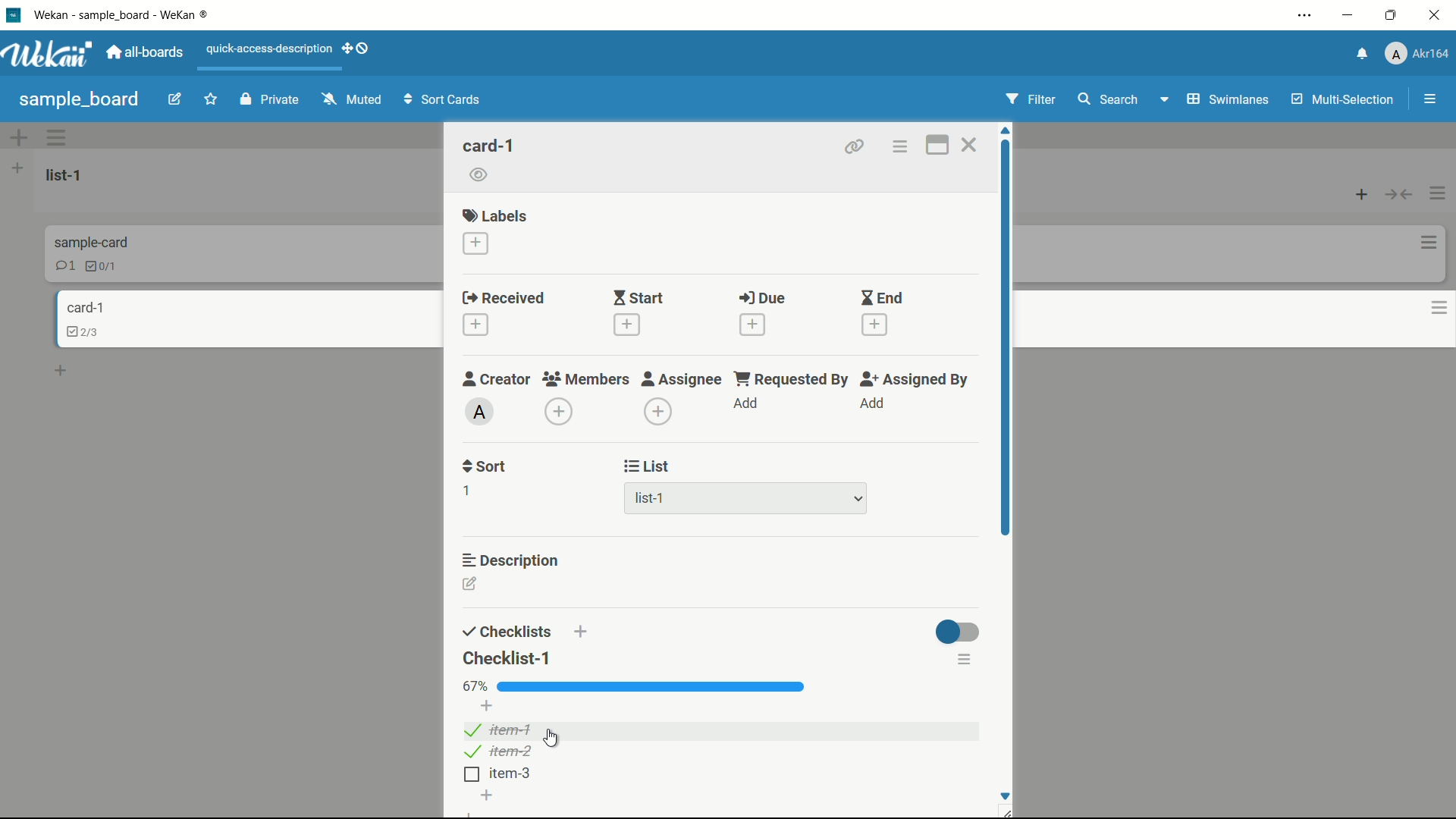 The image size is (1456, 819). Describe the element at coordinates (1423, 242) in the screenshot. I see `card actions` at that location.